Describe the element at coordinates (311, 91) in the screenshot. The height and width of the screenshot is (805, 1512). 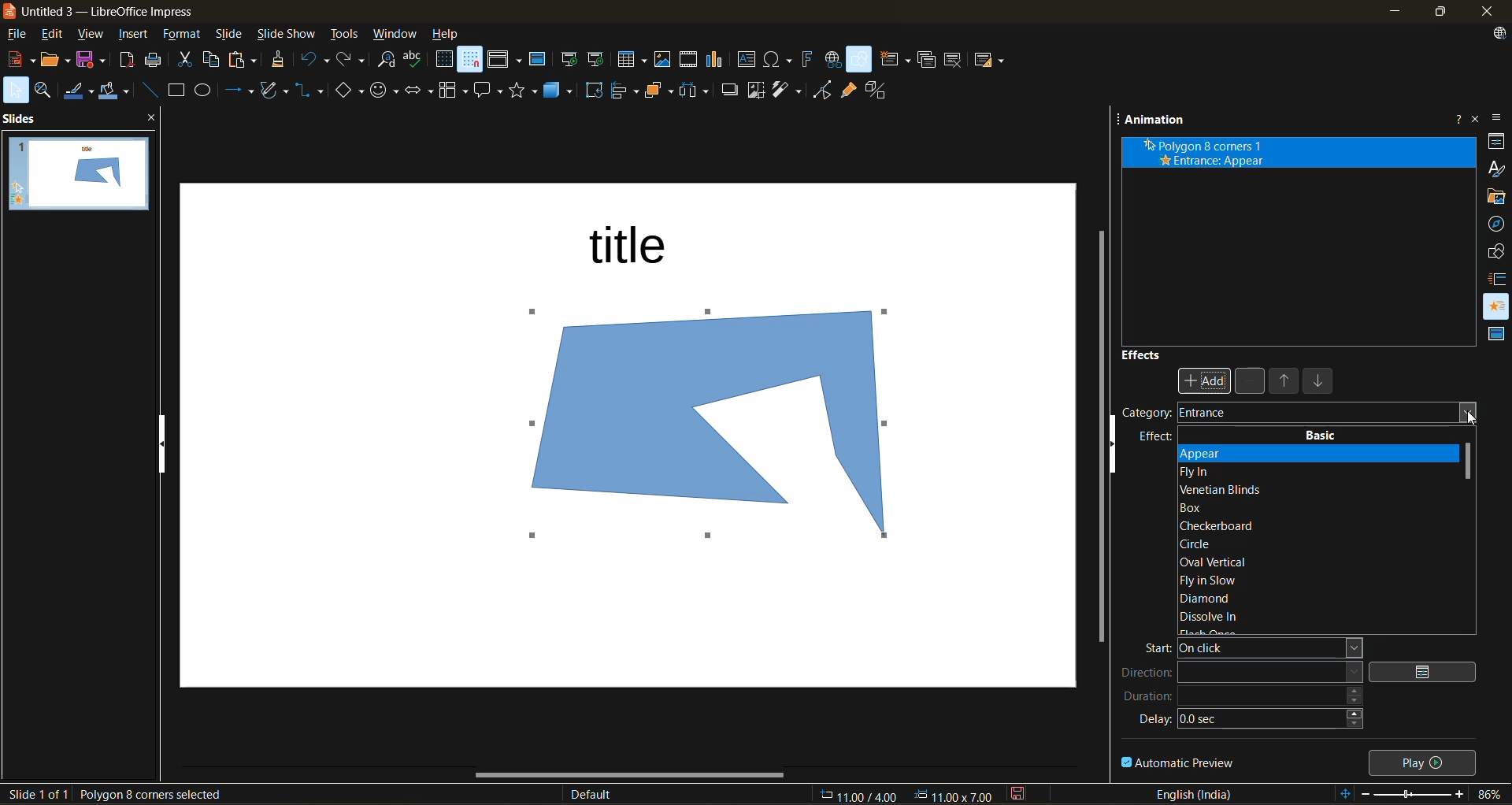
I see `connectors` at that location.